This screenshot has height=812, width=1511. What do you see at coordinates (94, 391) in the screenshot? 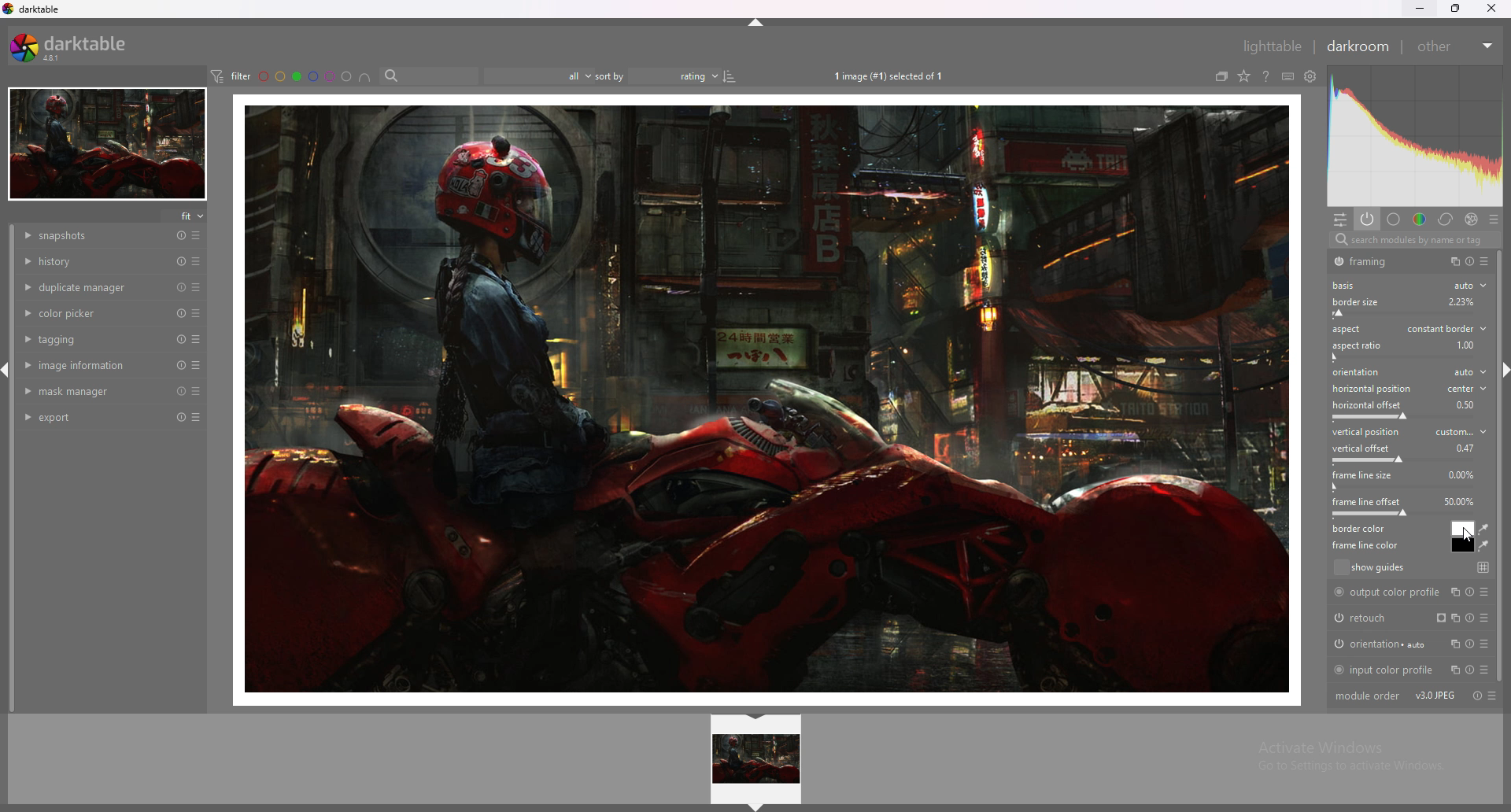
I see `mask manager` at bounding box center [94, 391].